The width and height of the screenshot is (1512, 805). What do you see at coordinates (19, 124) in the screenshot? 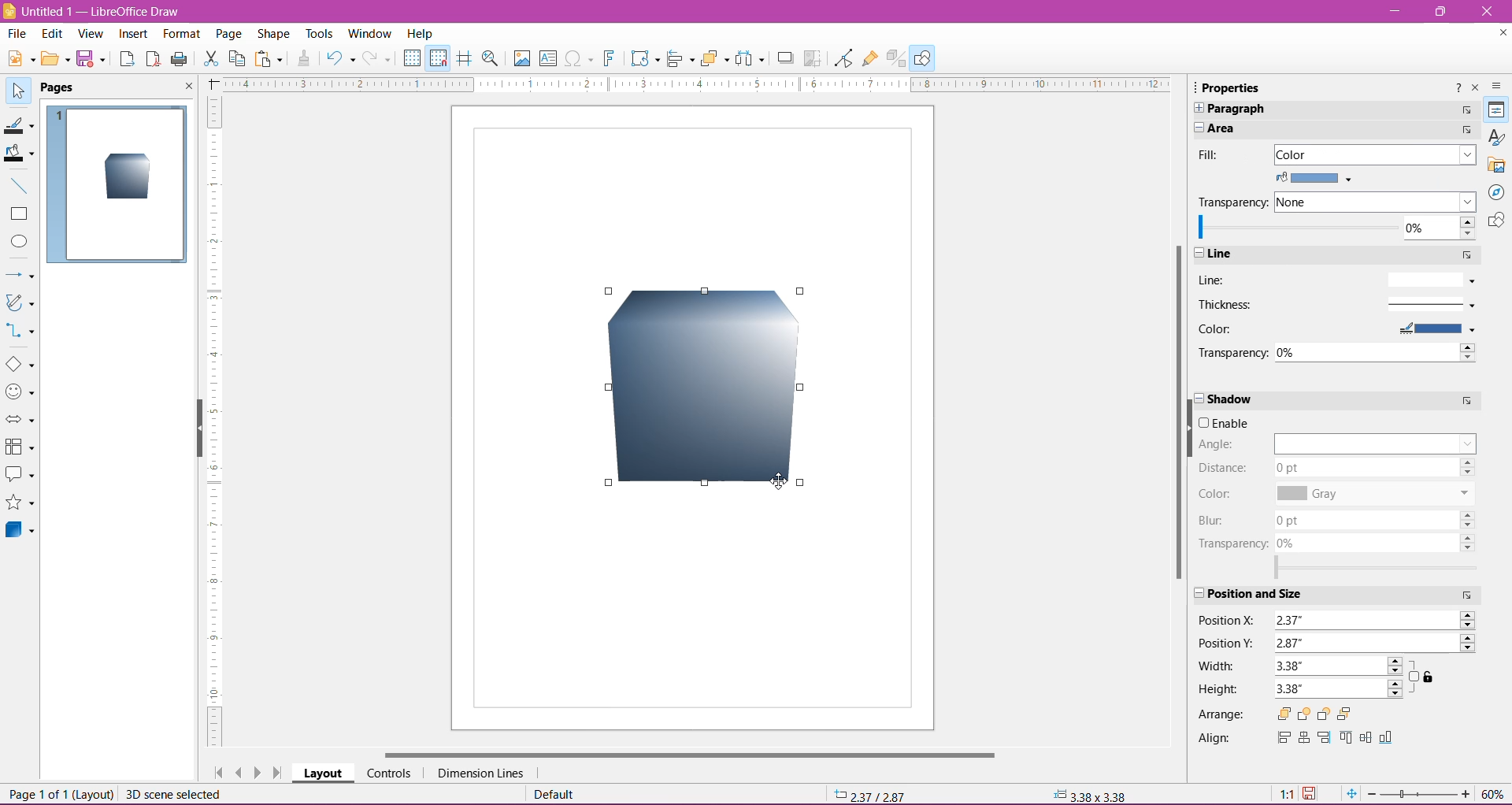
I see `Line Color` at bounding box center [19, 124].